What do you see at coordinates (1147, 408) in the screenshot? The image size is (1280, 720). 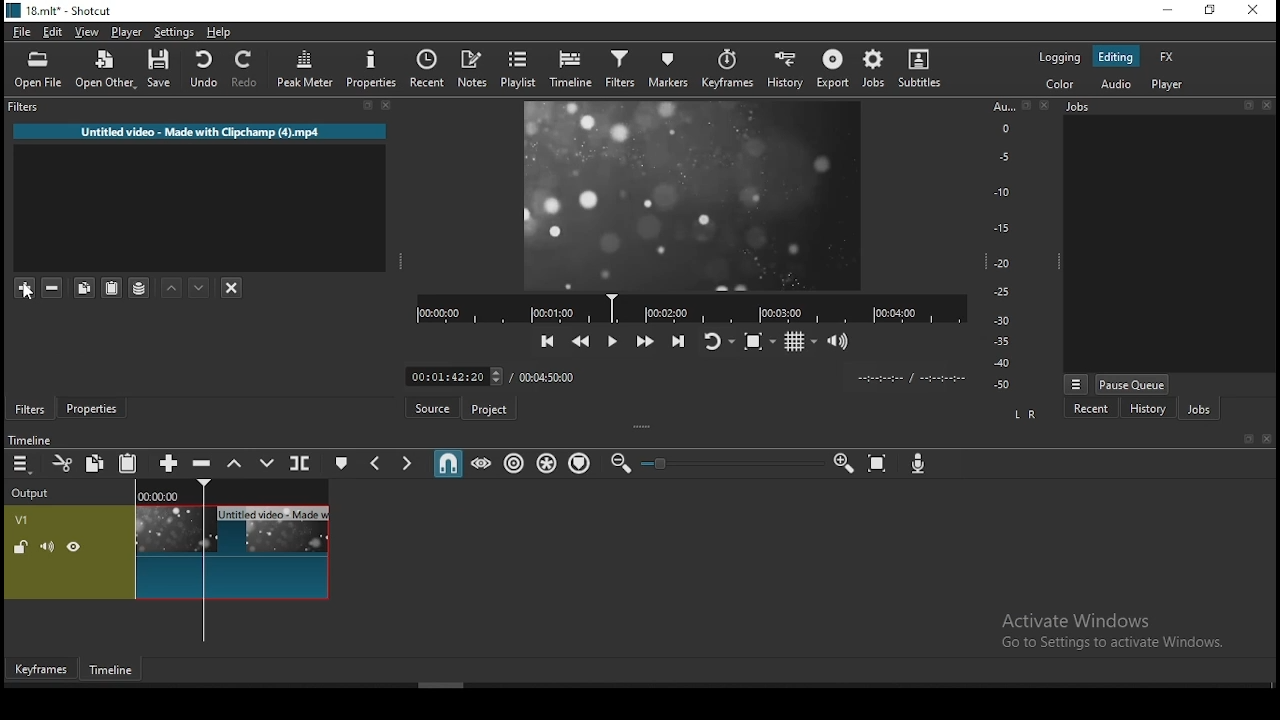 I see `history` at bounding box center [1147, 408].